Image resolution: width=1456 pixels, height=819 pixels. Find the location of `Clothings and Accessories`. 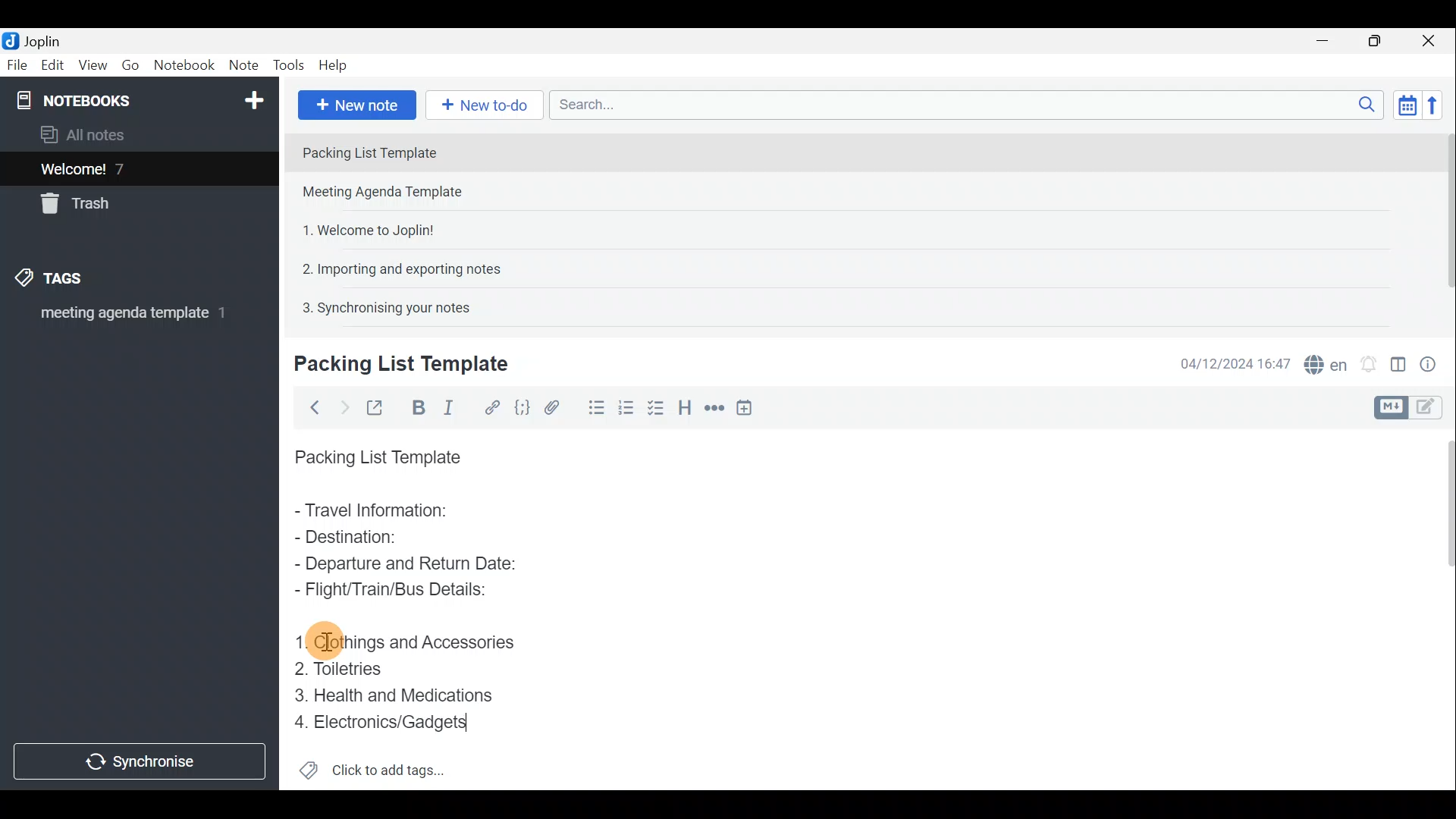

Clothings and Accessories is located at coordinates (412, 640).